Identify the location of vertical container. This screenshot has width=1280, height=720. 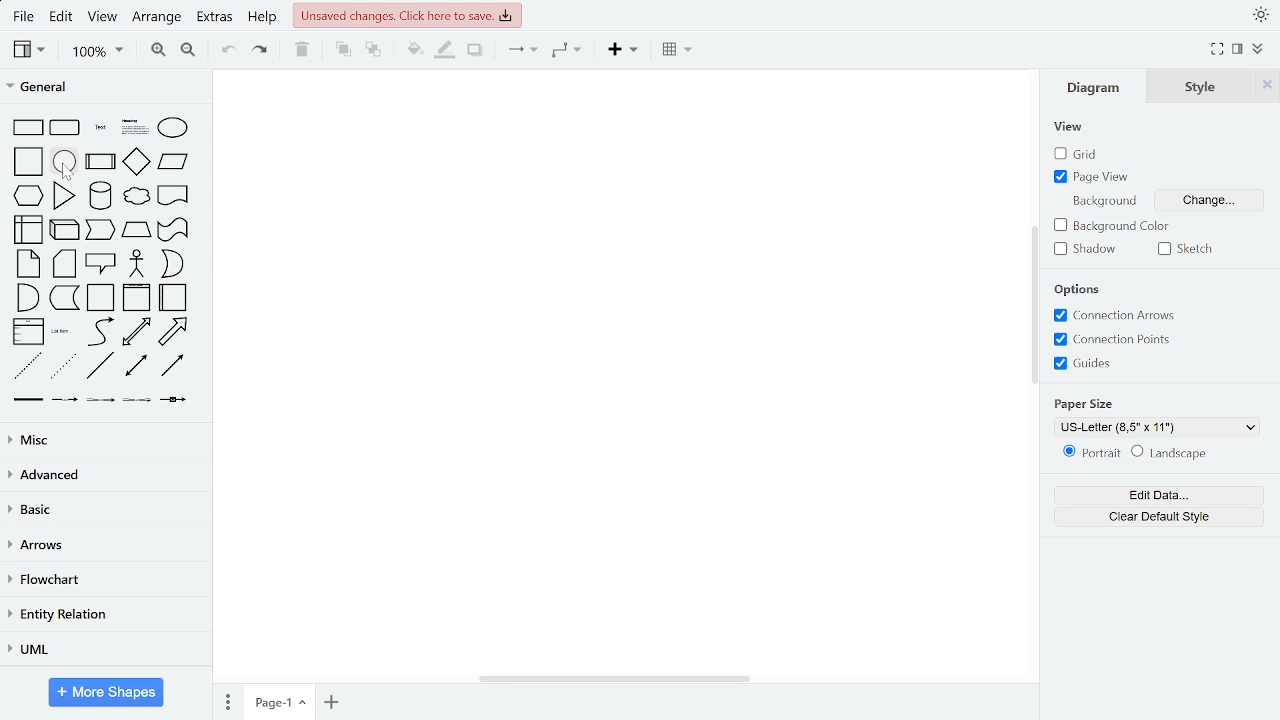
(138, 298).